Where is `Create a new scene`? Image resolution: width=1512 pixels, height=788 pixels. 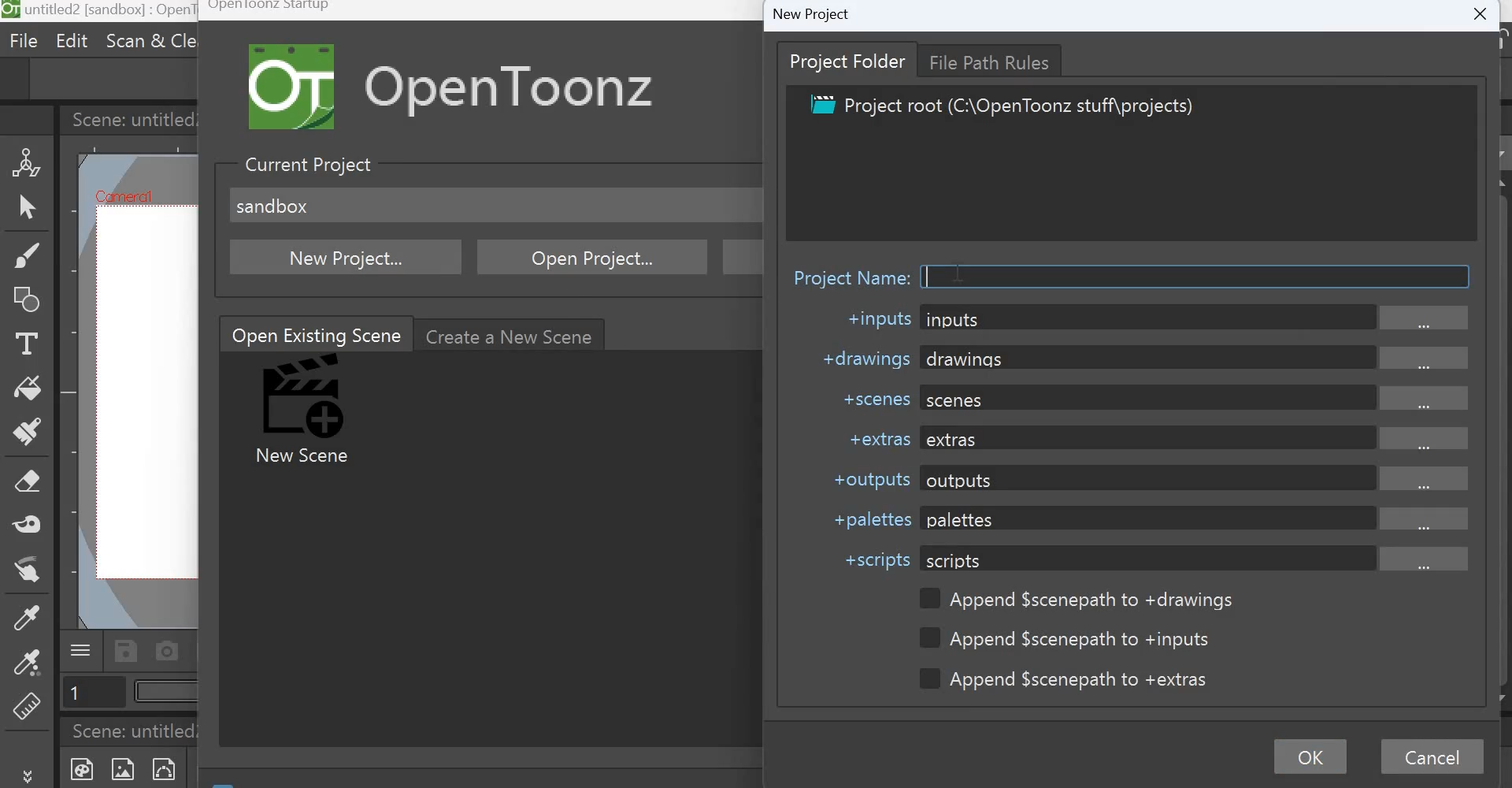 Create a new scene is located at coordinates (514, 334).